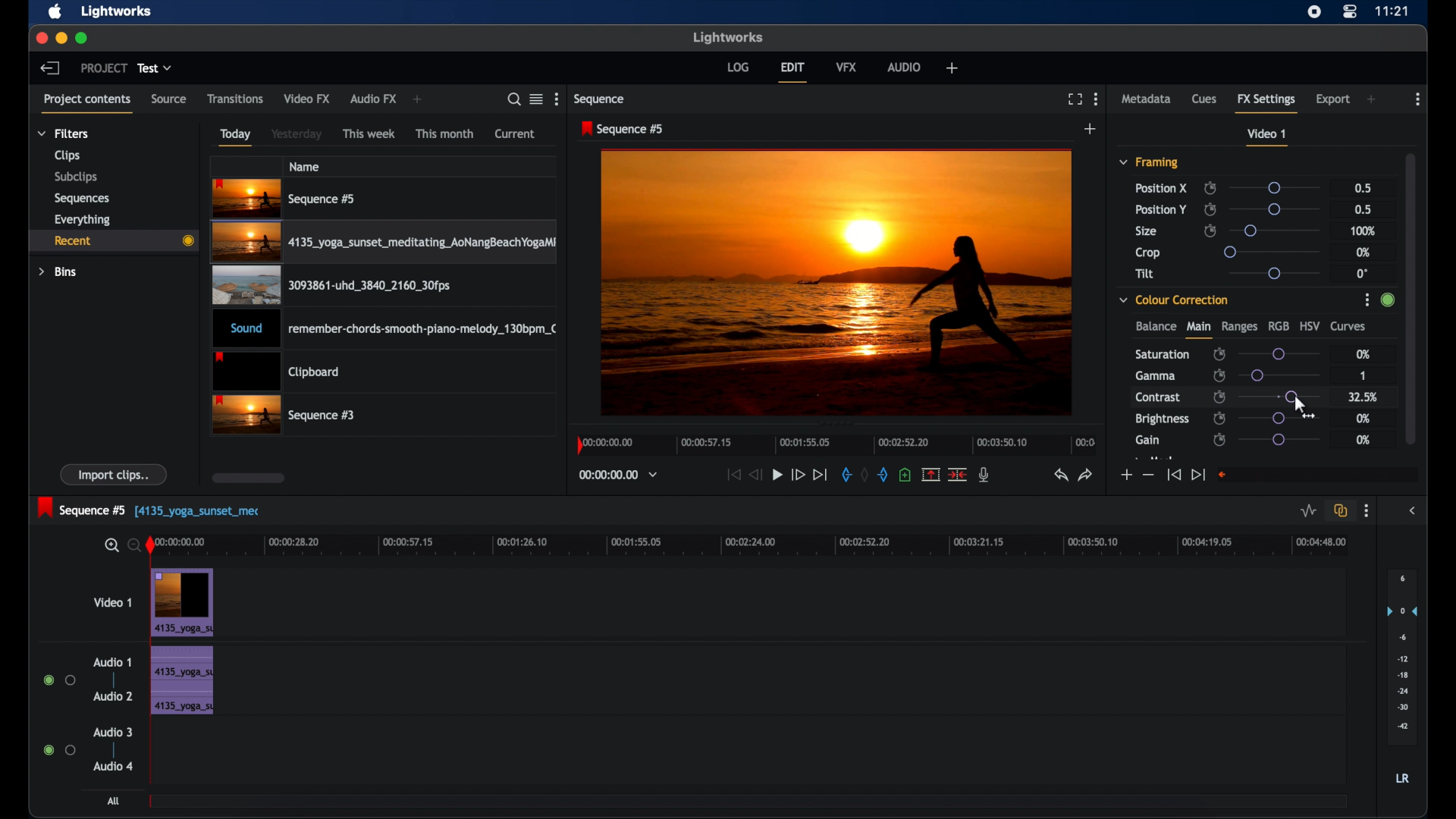  I want to click on this week, so click(369, 134).